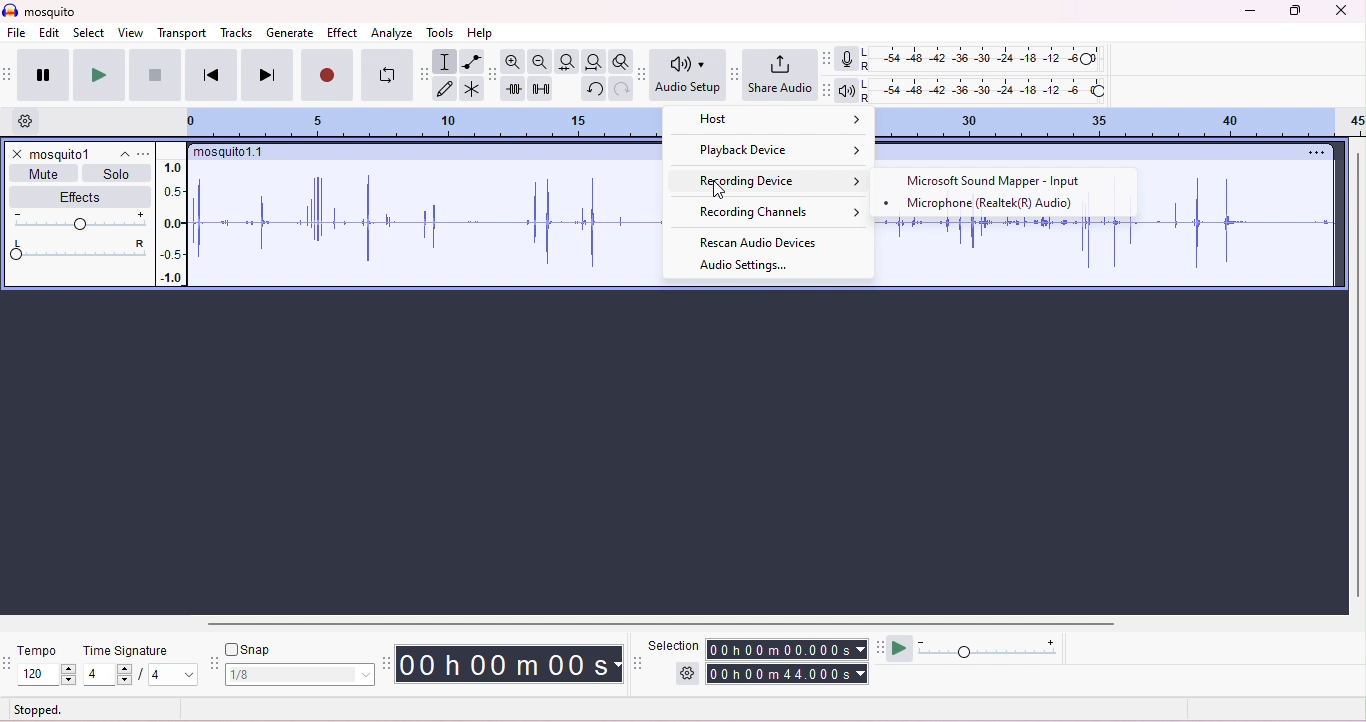 This screenshot has width=1366, height=722. I want to click on loop, so click(386, 75).